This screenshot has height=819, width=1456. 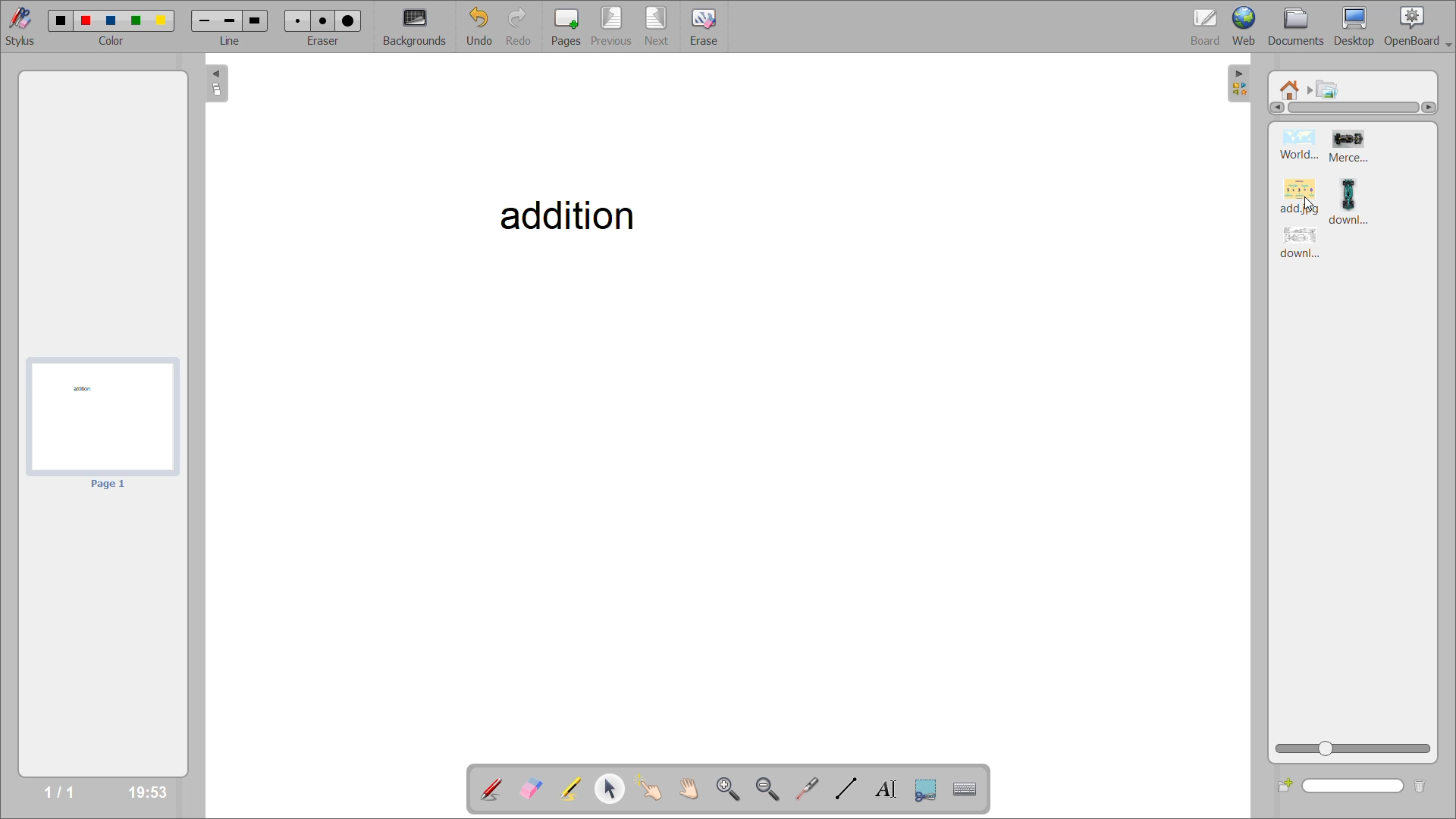 What do you see at coordinates (112, 42) in the screenshot?
I see `color` at bounding box center [112, 42].